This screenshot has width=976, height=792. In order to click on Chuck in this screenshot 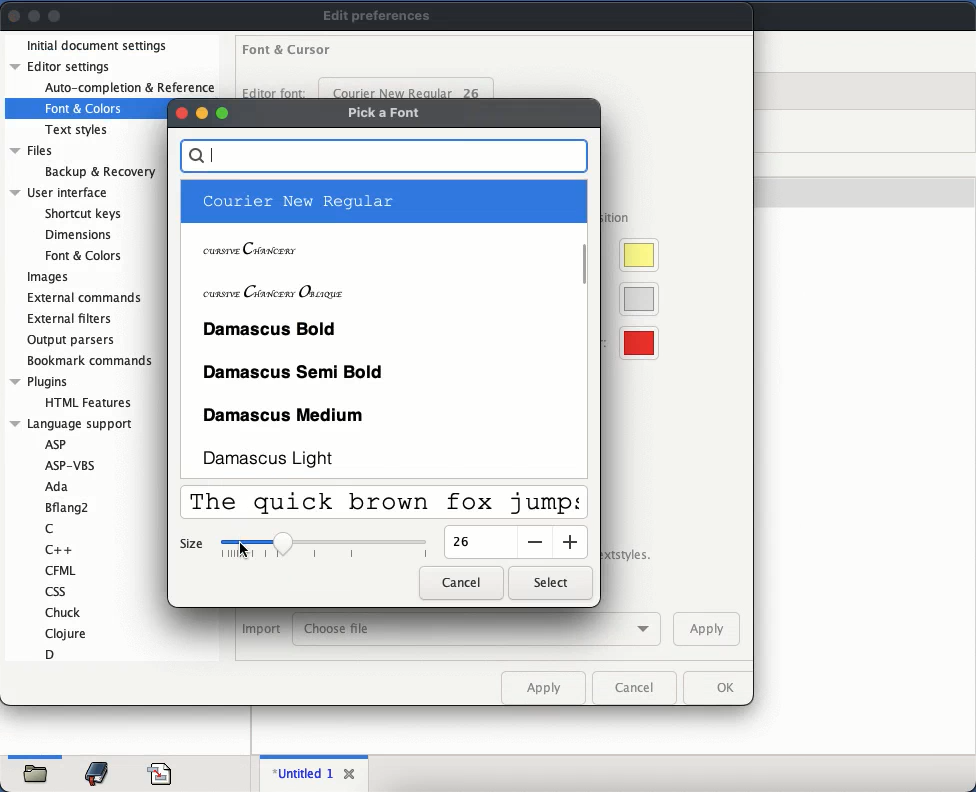, I will do `click(65, 612)`.